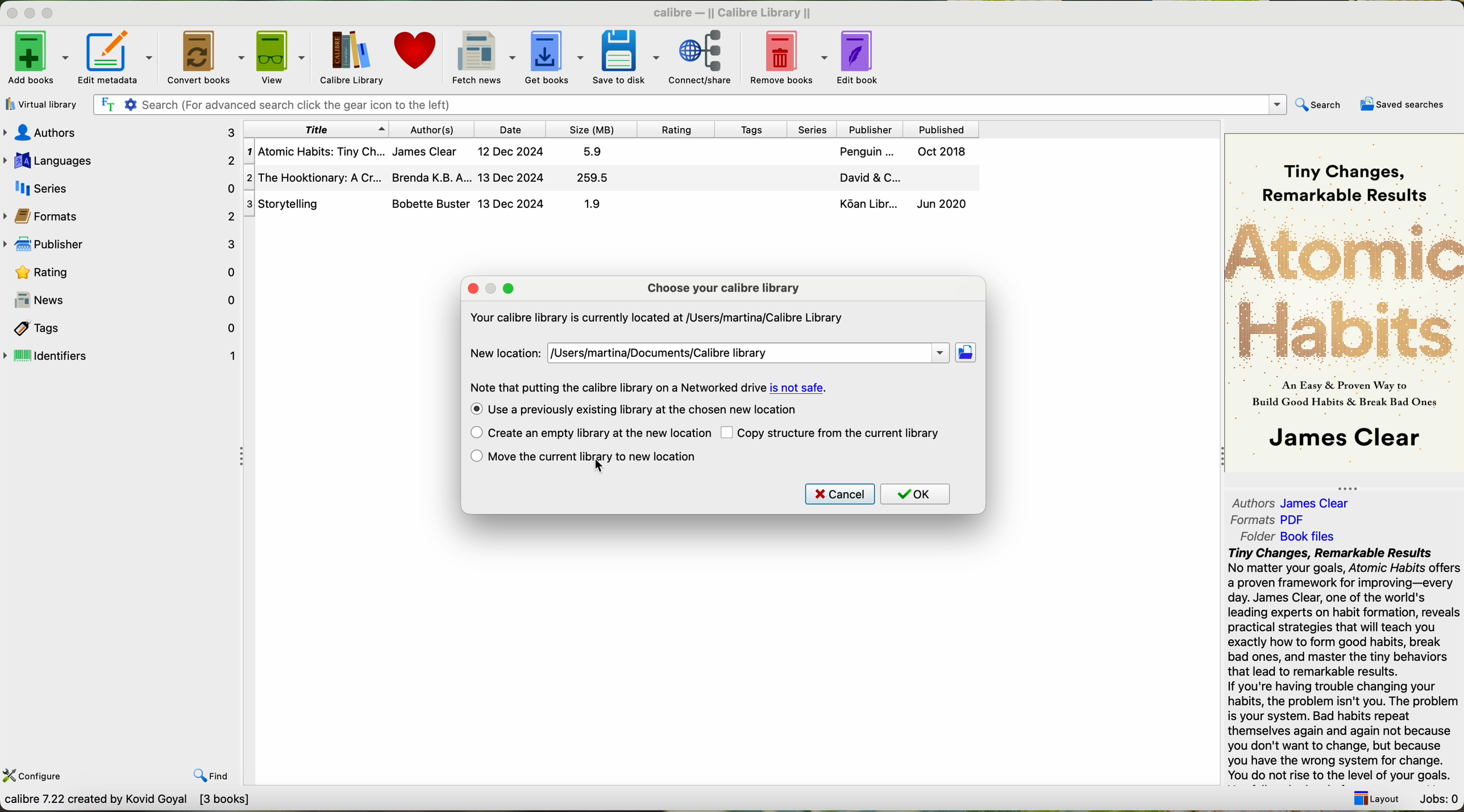  I want to click on languages, so click(120, 159).